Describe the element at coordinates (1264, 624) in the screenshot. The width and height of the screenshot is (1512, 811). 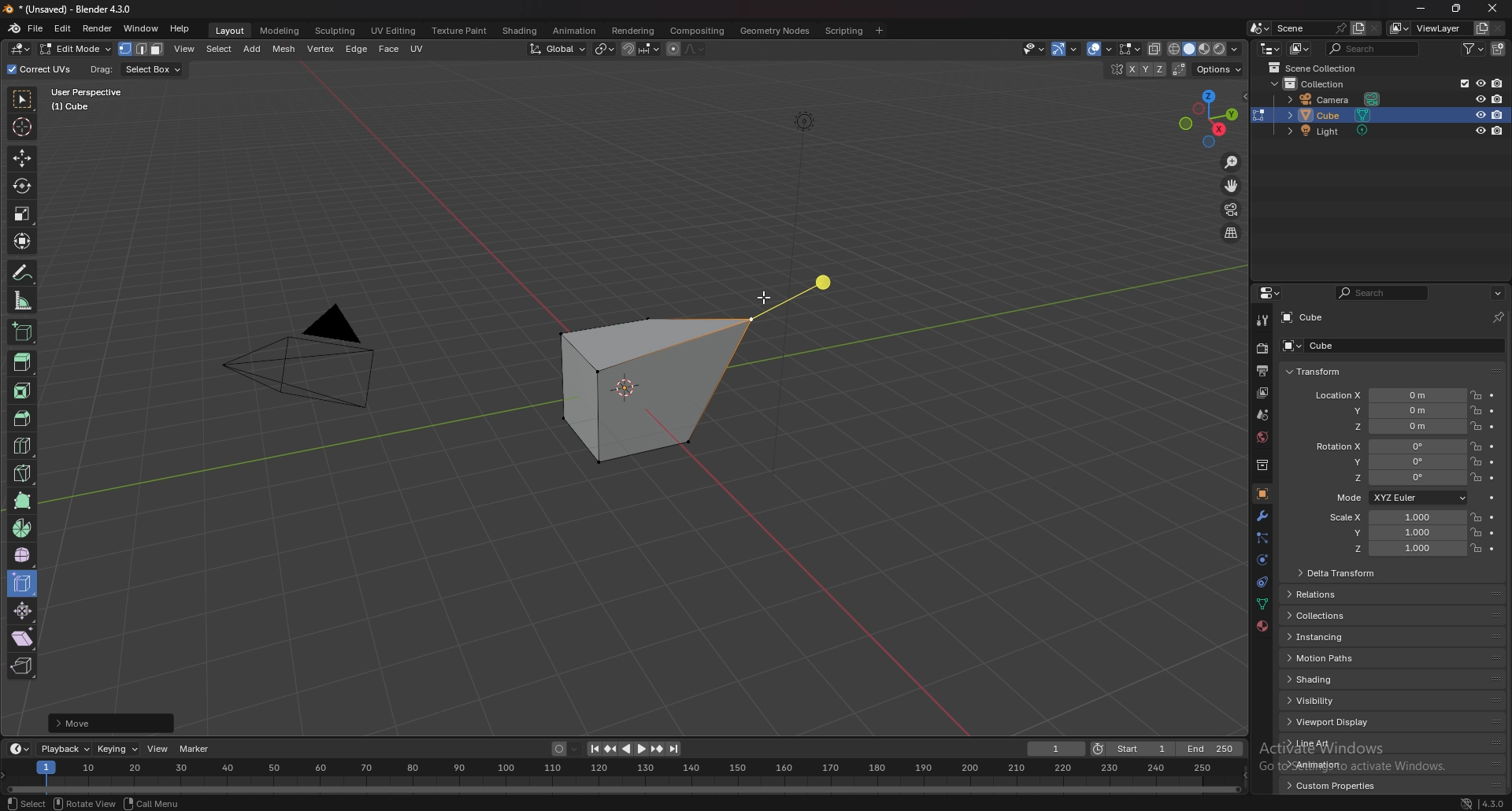
I see `material` at that location.